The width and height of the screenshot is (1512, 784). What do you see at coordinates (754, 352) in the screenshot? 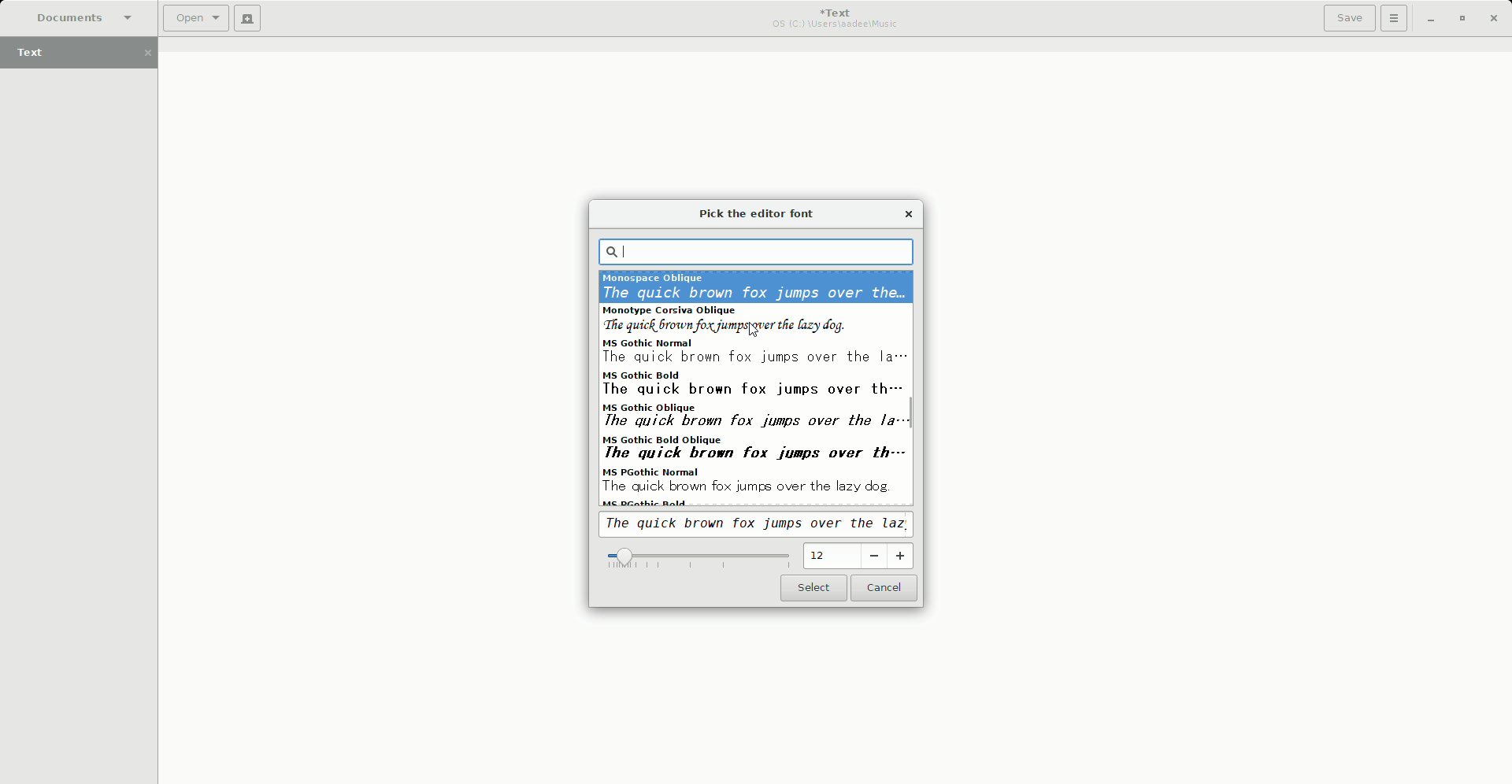
I see `Gothic normal` at bounding box center [754, 352].